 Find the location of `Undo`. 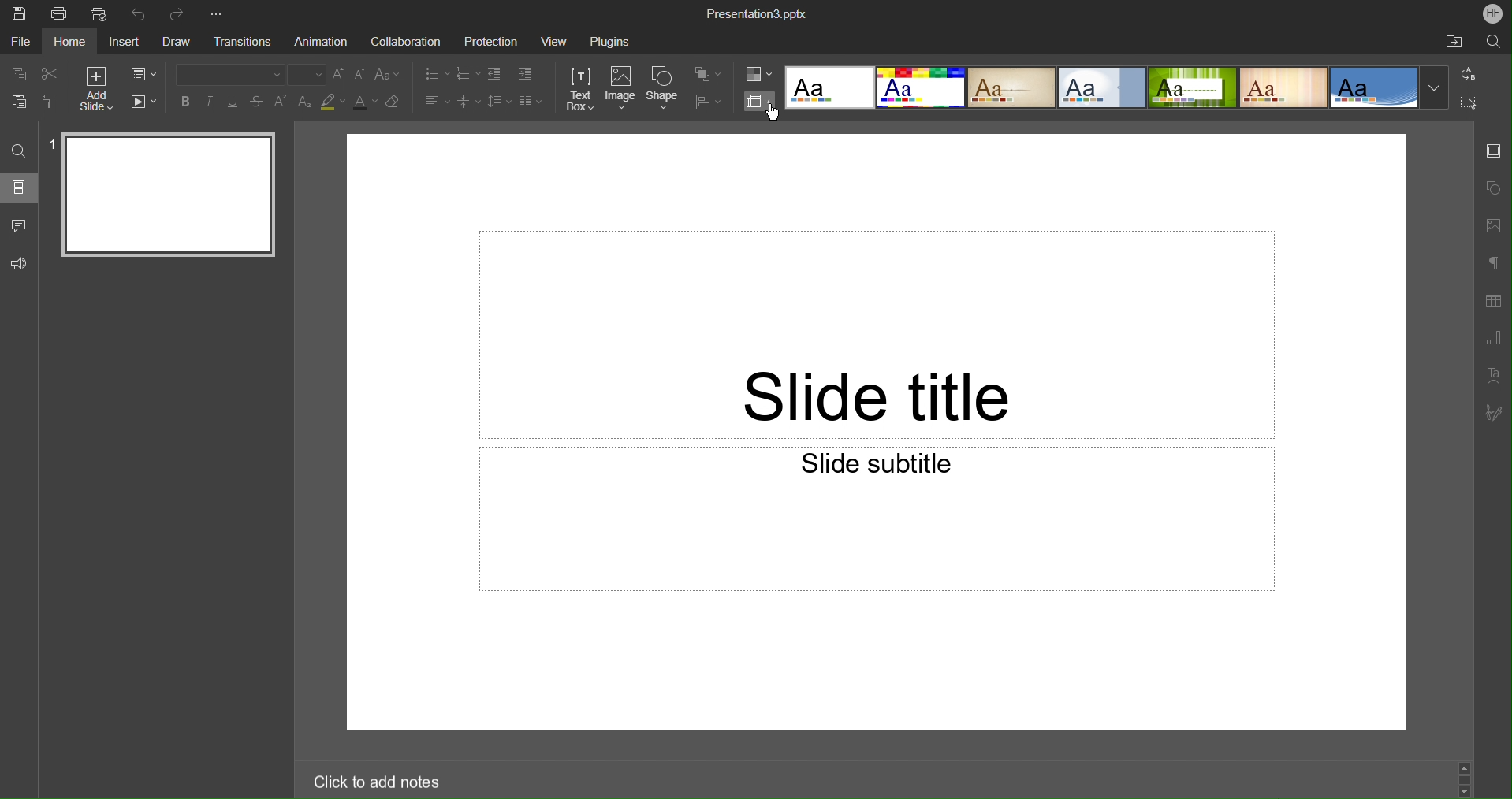

Undo is located at coordinates (140, 13).